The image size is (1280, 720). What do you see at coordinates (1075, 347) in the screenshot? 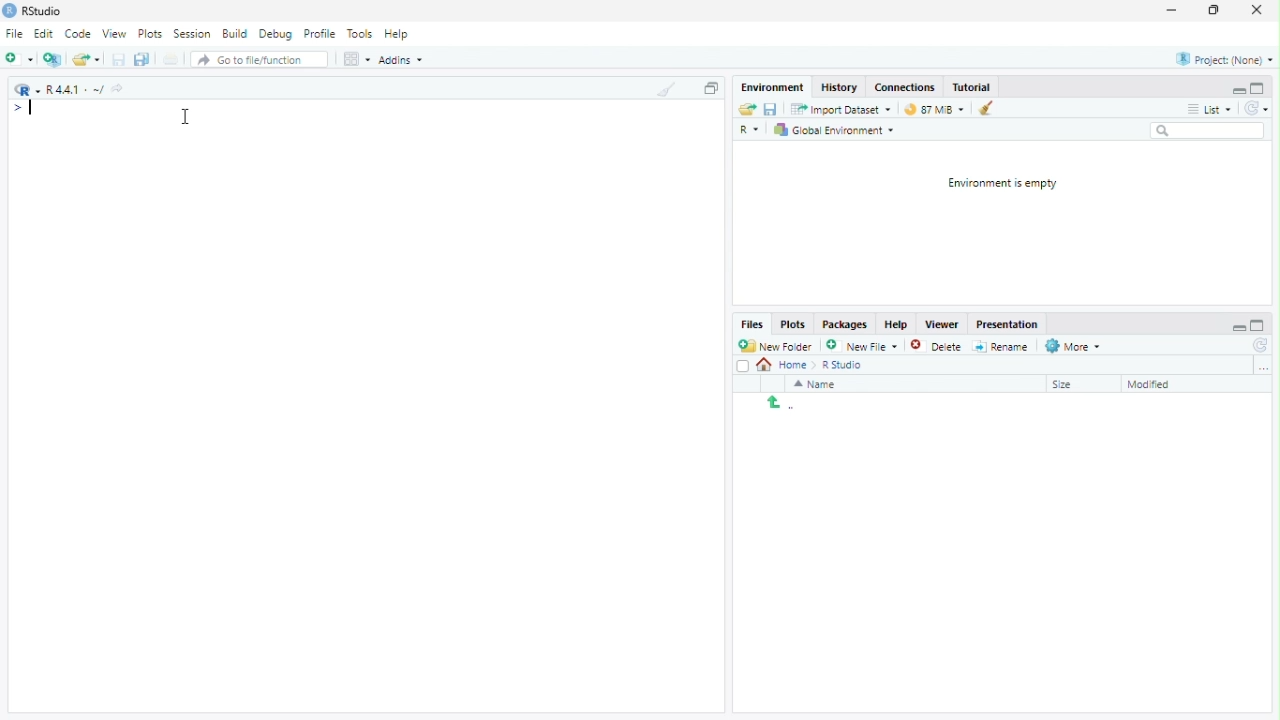
I see `More` at bounding box center [1075, 347].